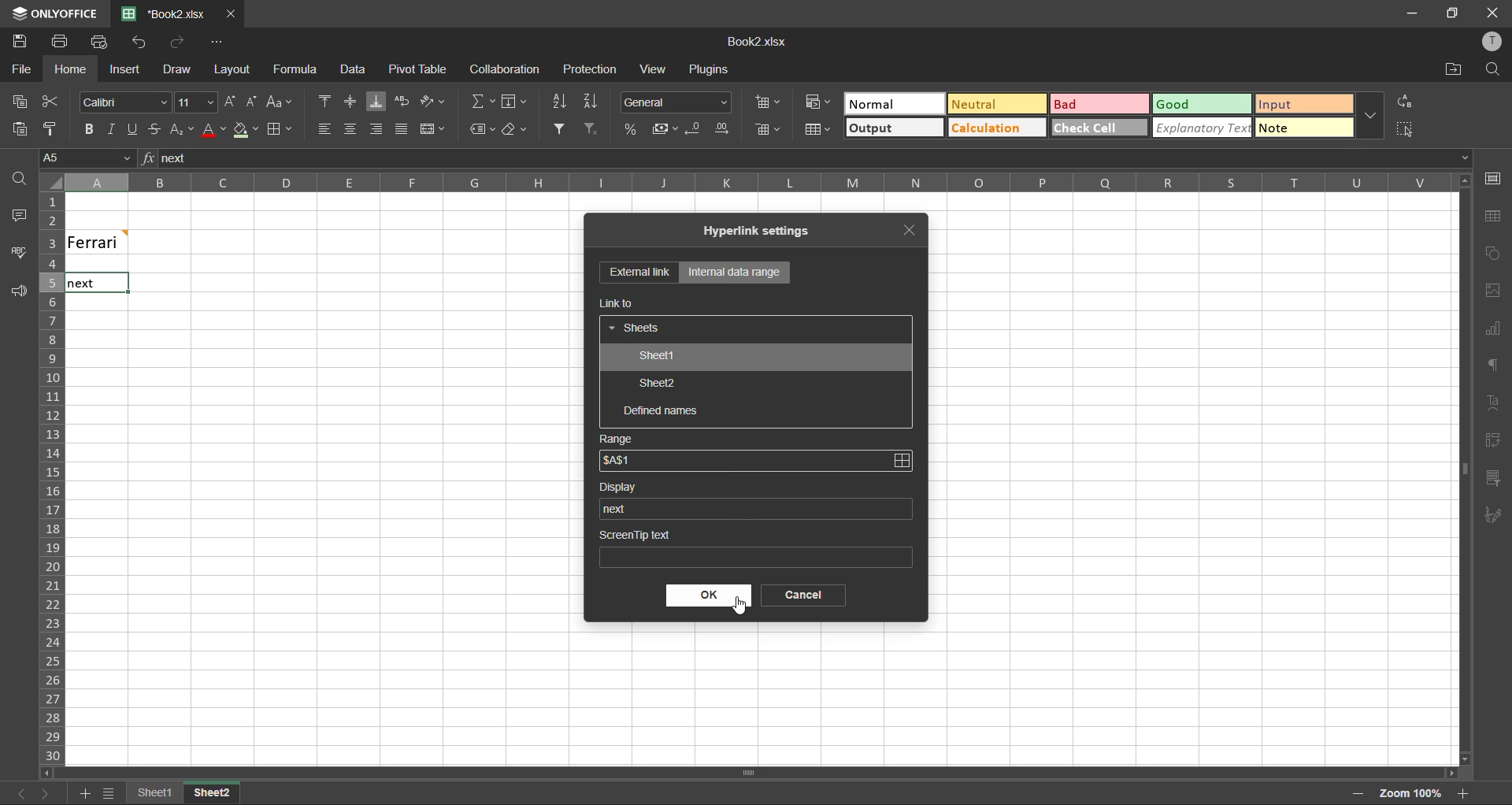 The image size is (1512, 805). Describe the element at coordinates (483, 100) in the screenshot. I see `summation` at that location.